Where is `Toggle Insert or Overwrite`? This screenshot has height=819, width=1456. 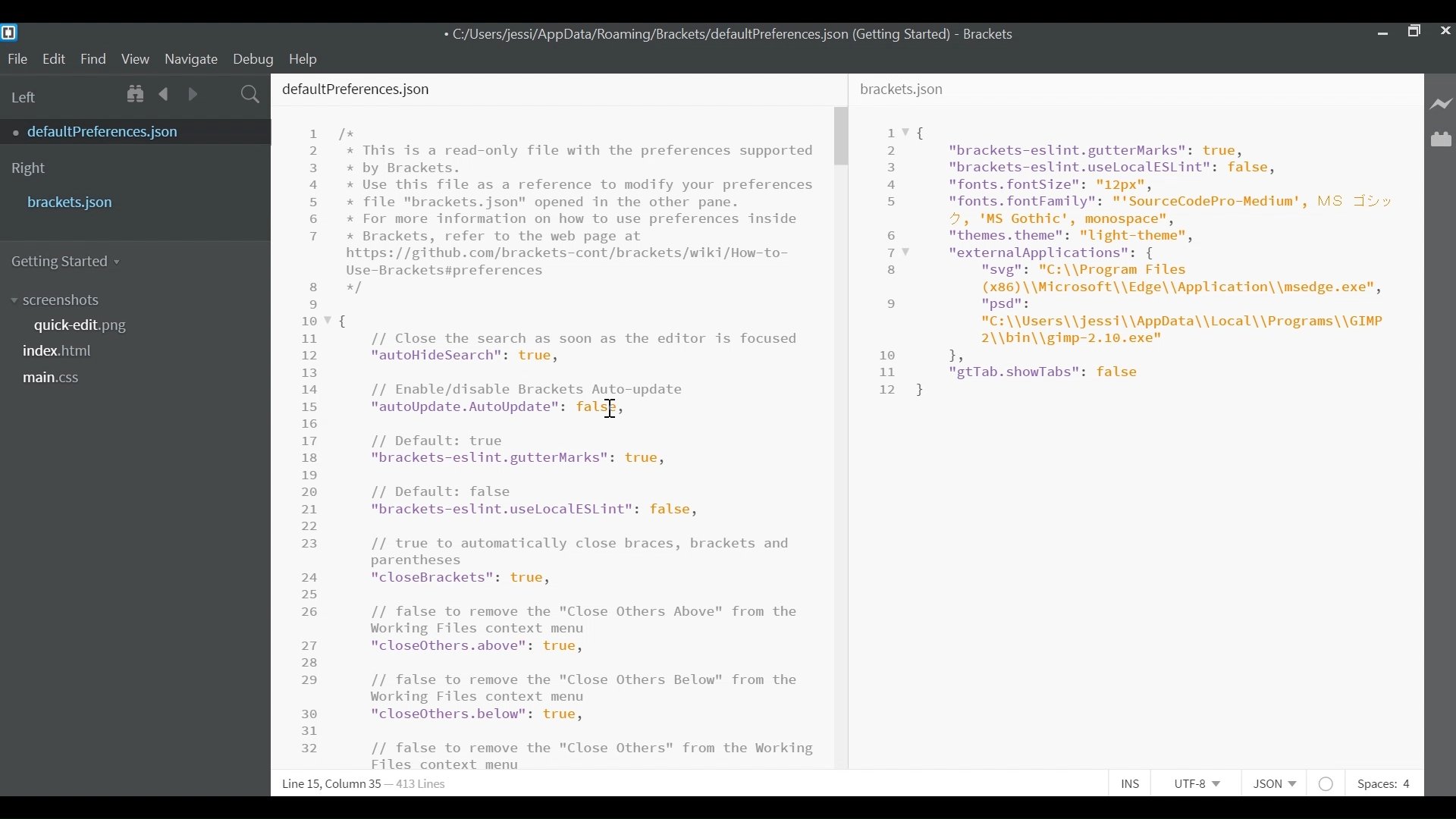 Toggle Insert or Overwrite is located at coordinates (1131, 785).